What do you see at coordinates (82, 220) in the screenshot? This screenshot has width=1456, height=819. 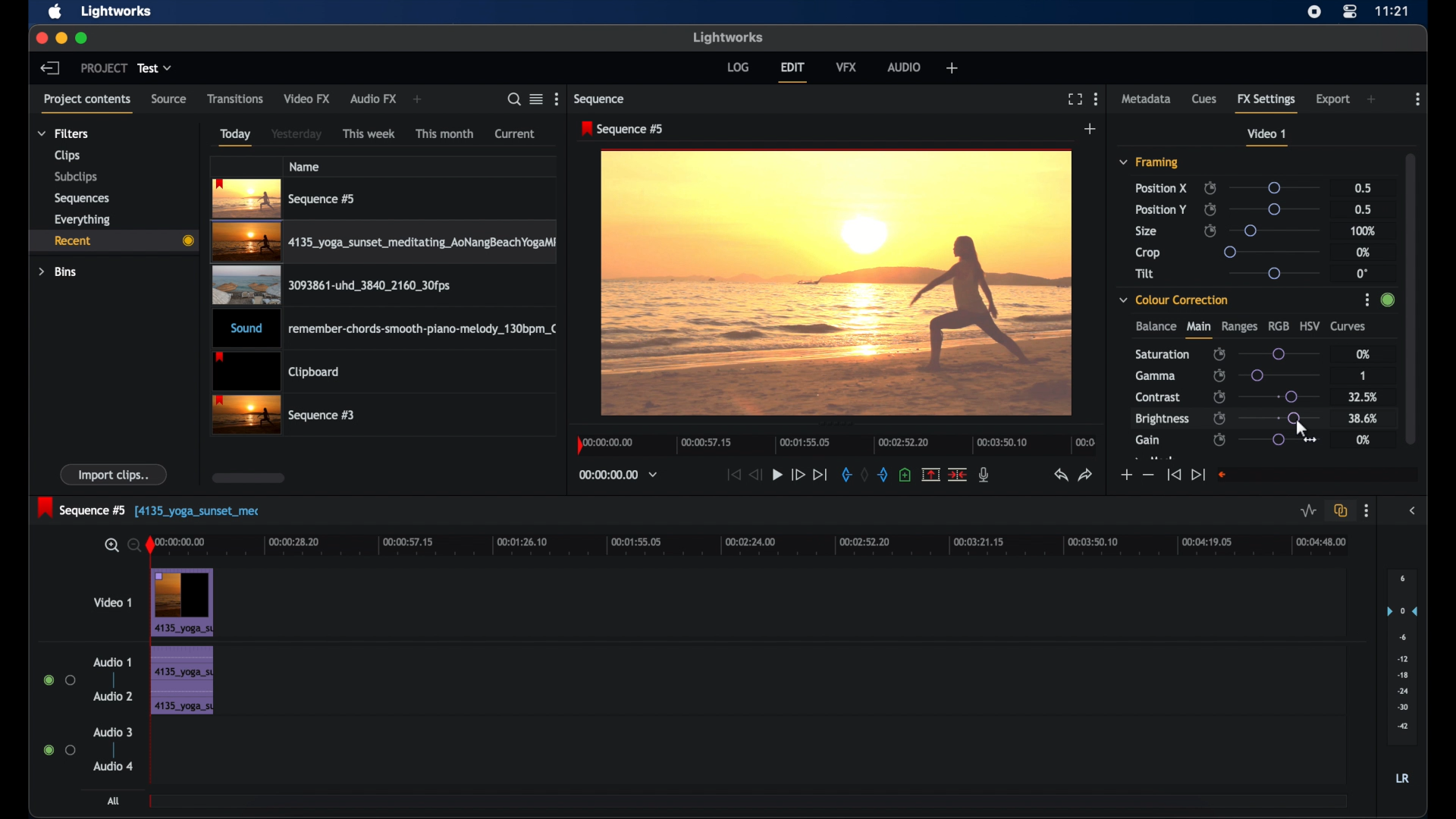 I see `everything` at bounding box center [82, 220].